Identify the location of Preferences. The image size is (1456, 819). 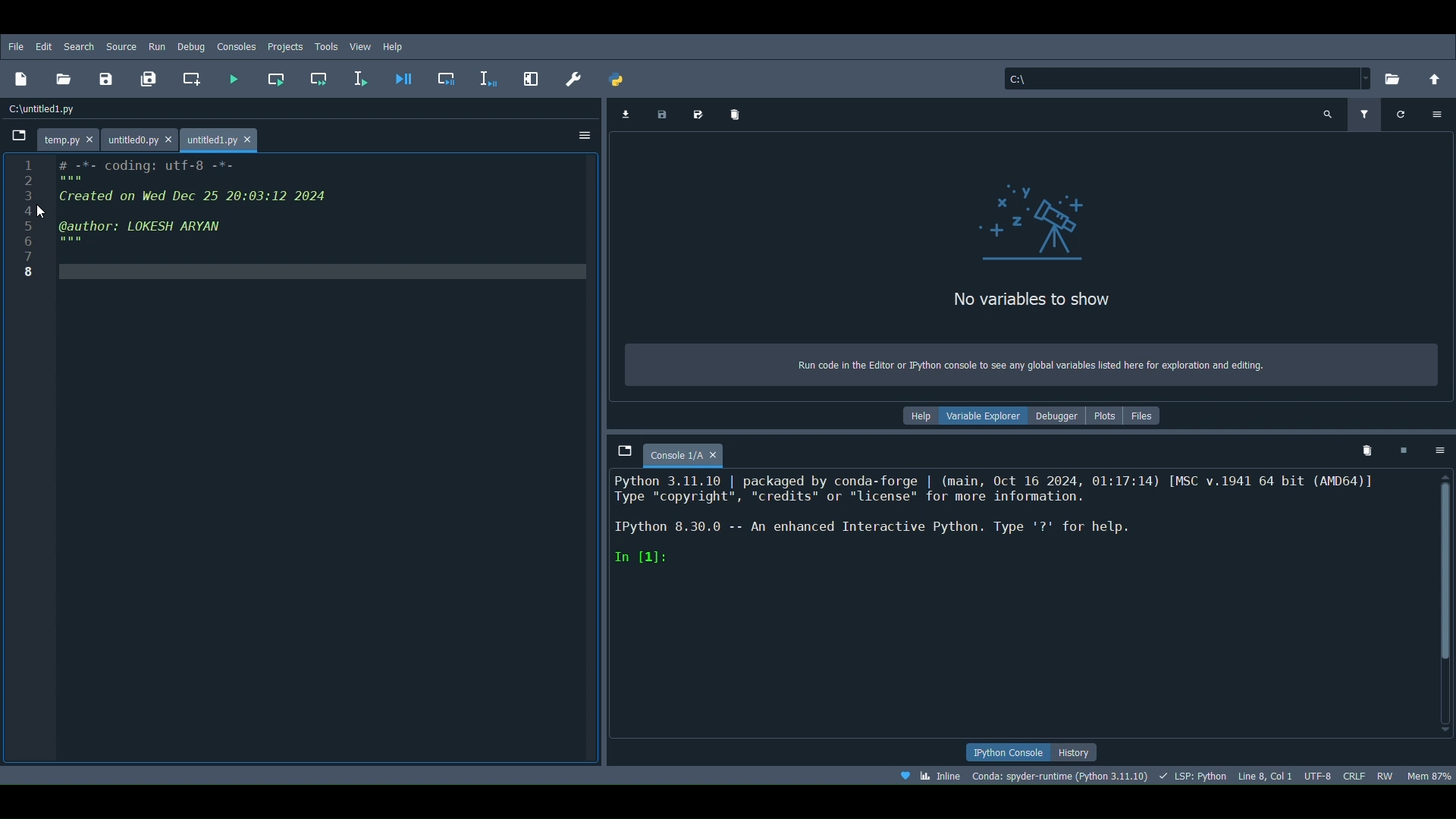
(574, 77).